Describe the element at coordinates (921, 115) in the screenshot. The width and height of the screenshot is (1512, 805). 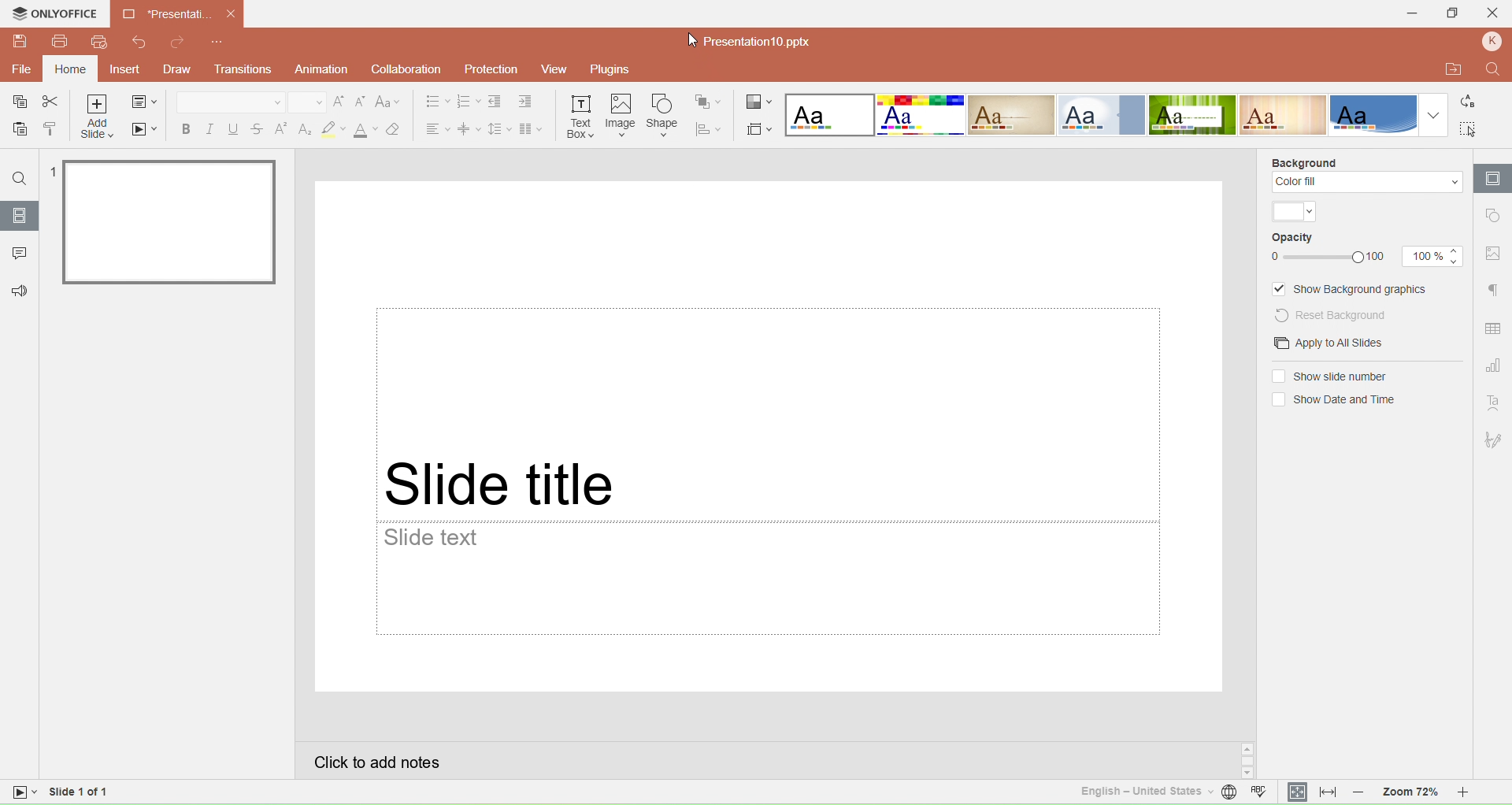
I see `Basic` at that location.